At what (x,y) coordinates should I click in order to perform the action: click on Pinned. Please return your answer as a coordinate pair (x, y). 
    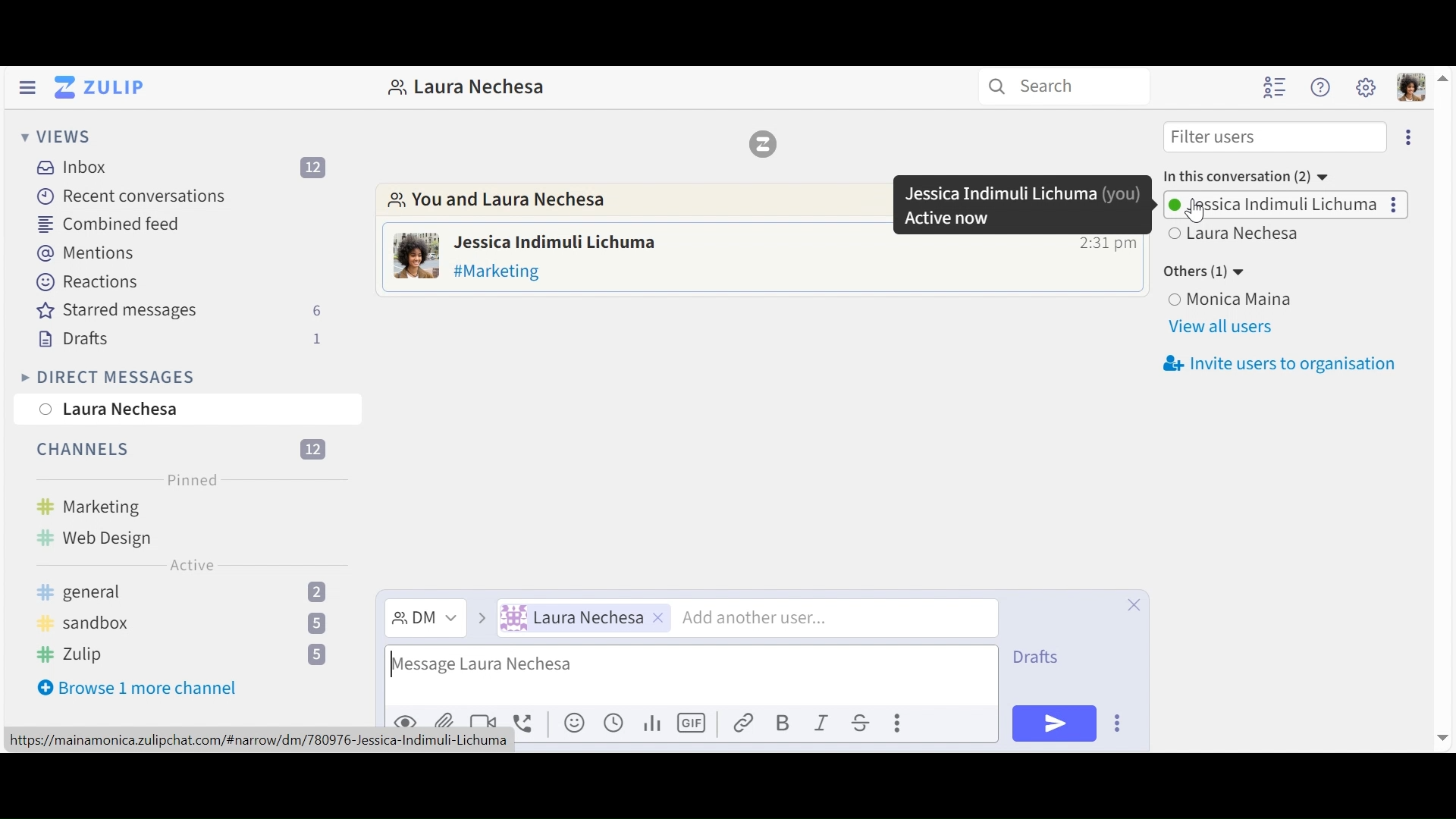
    Looking at the image, I should click on (193, 478).